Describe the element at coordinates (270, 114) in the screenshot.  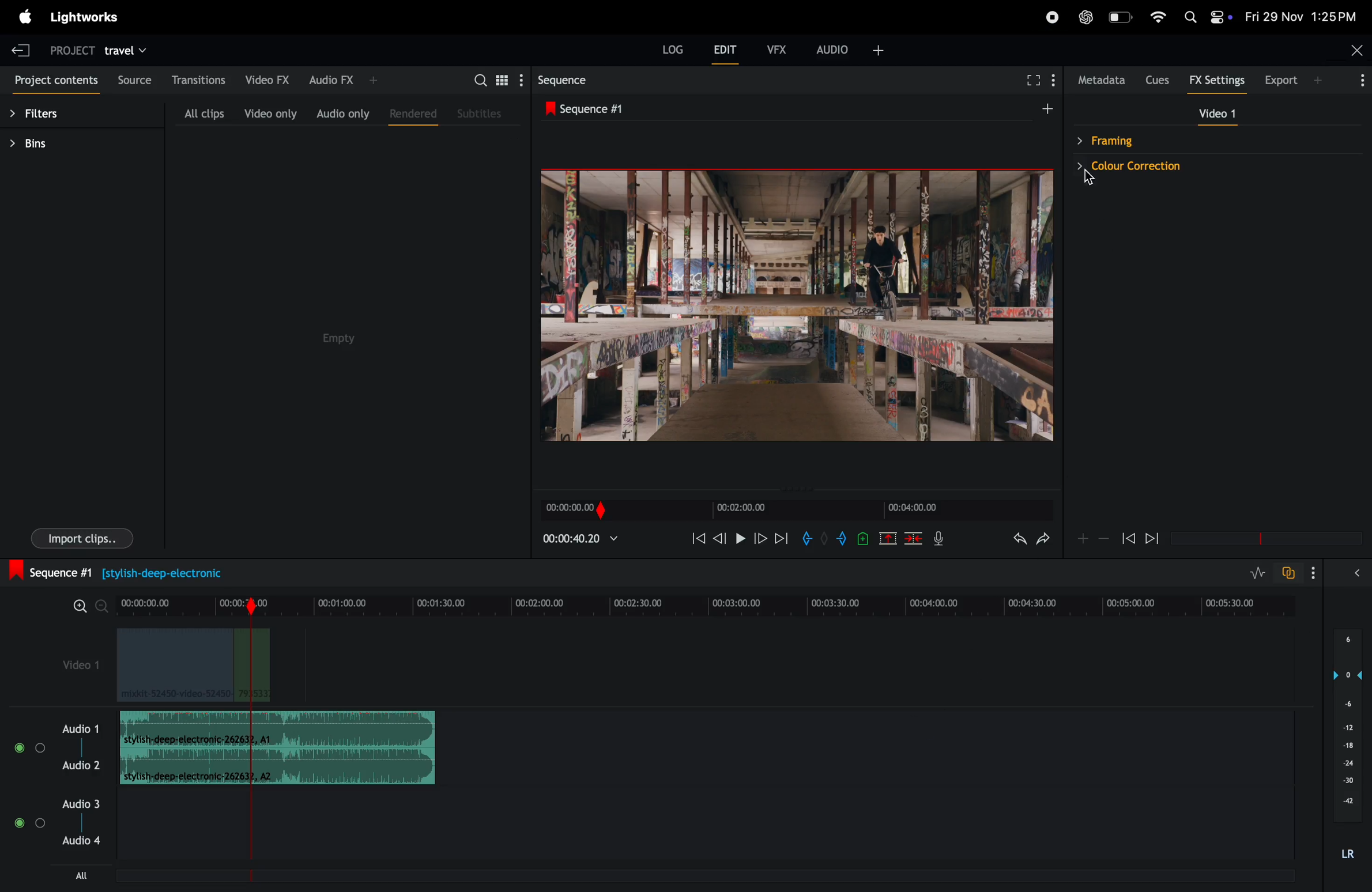
I see `video only` at that location.